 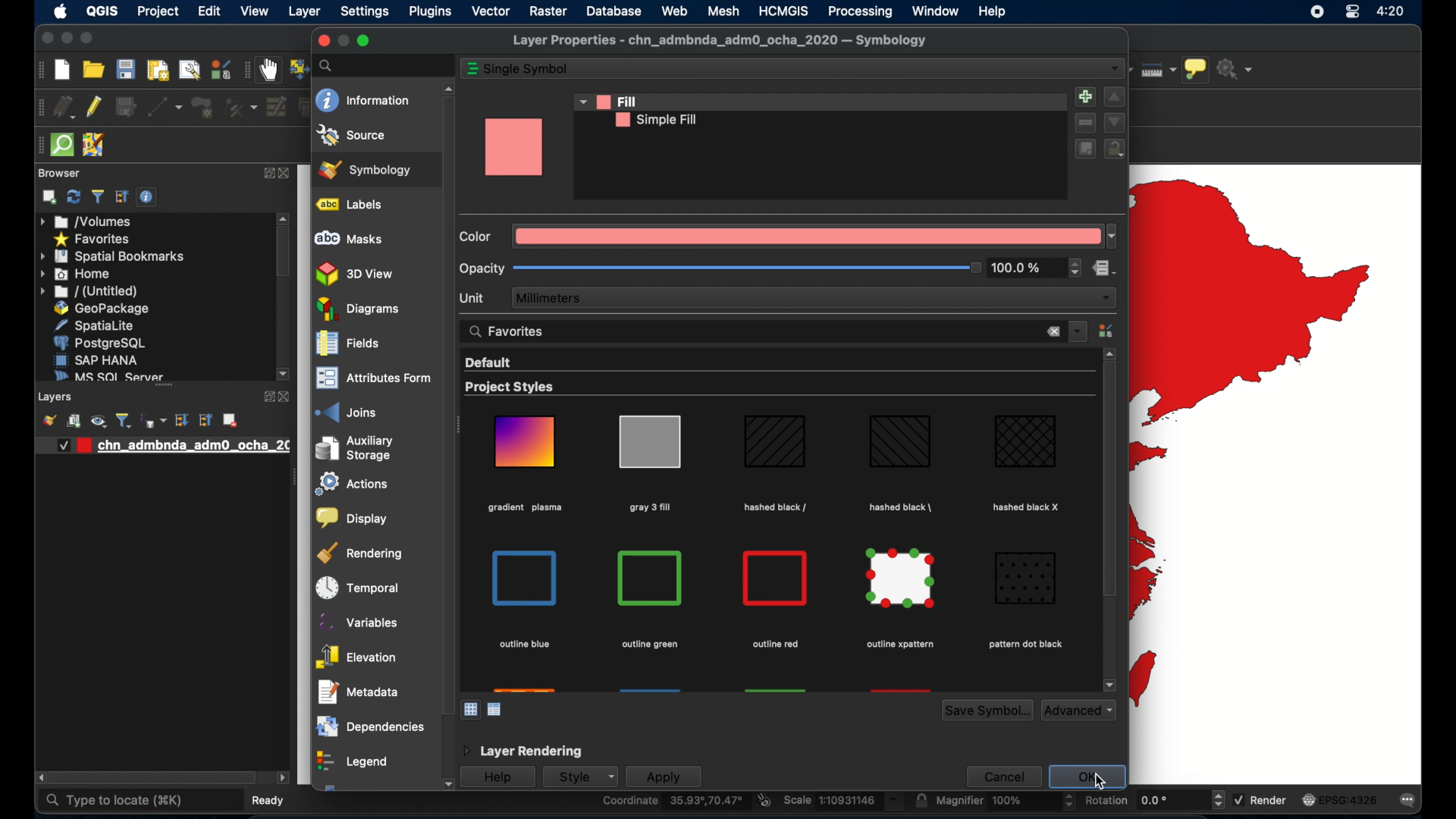 What do you see at coordinates (87, 221) in the screenshot?
I see `volumes menu` at bounding box center [87, 221].